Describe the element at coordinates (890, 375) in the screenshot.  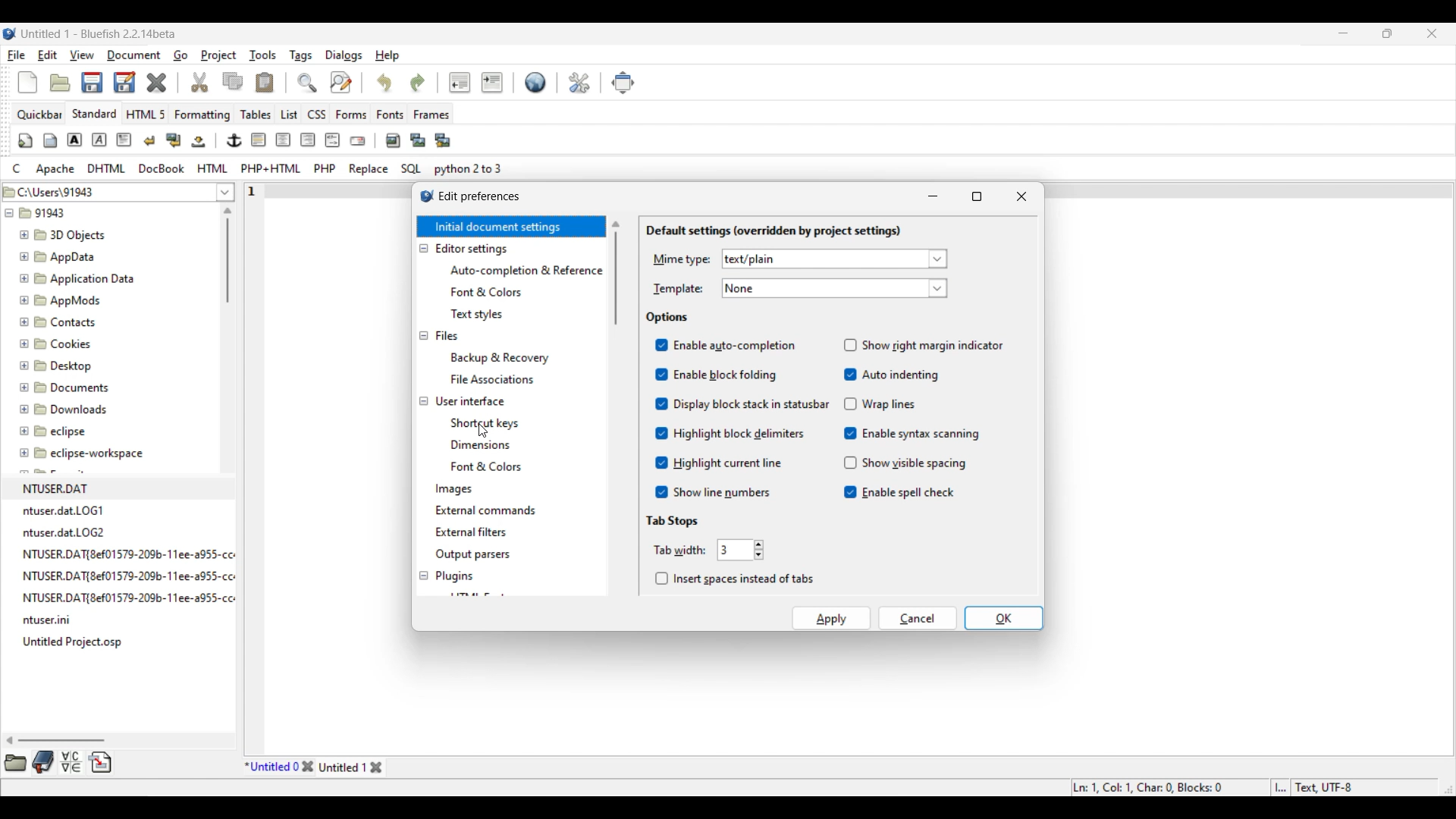
I see `@ Auto indenting` at that location.